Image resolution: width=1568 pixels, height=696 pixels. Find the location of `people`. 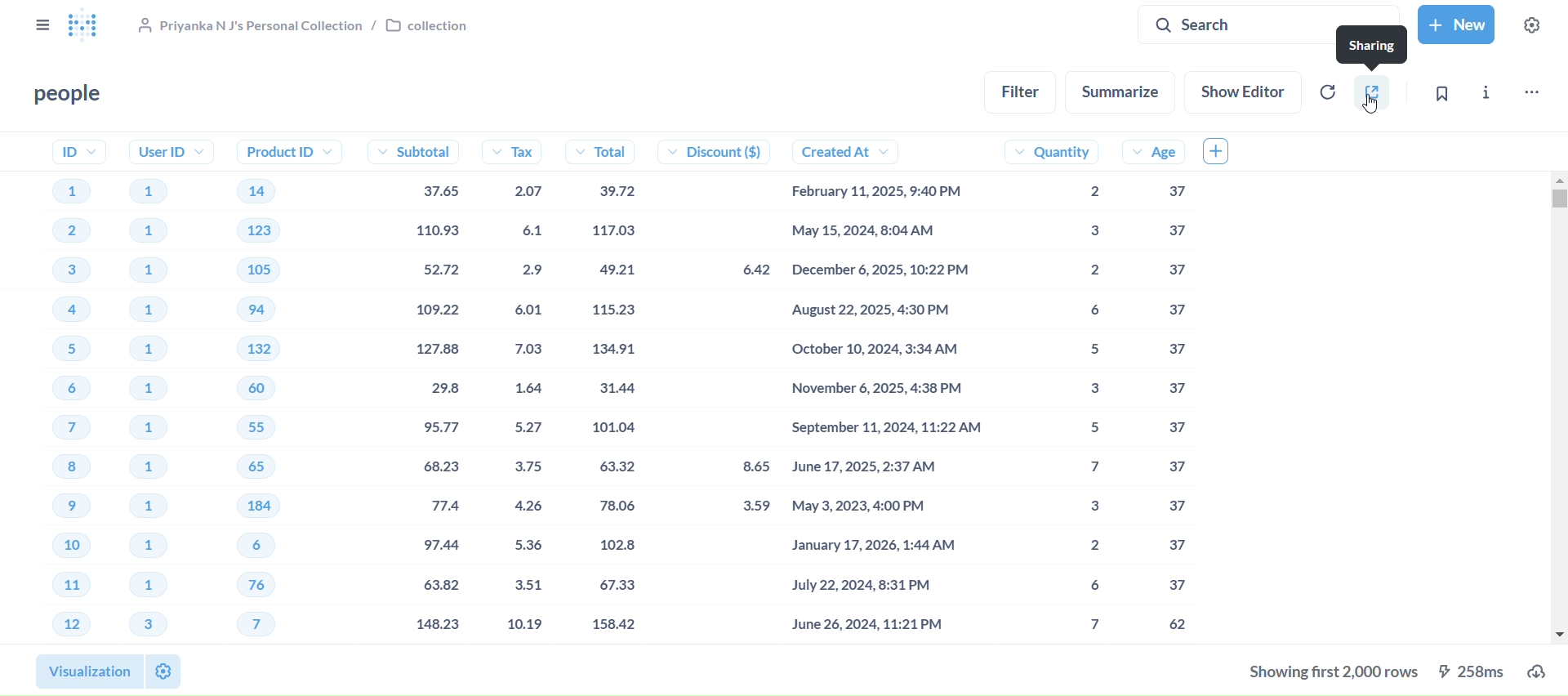

people is located at coordinates (69, 95).